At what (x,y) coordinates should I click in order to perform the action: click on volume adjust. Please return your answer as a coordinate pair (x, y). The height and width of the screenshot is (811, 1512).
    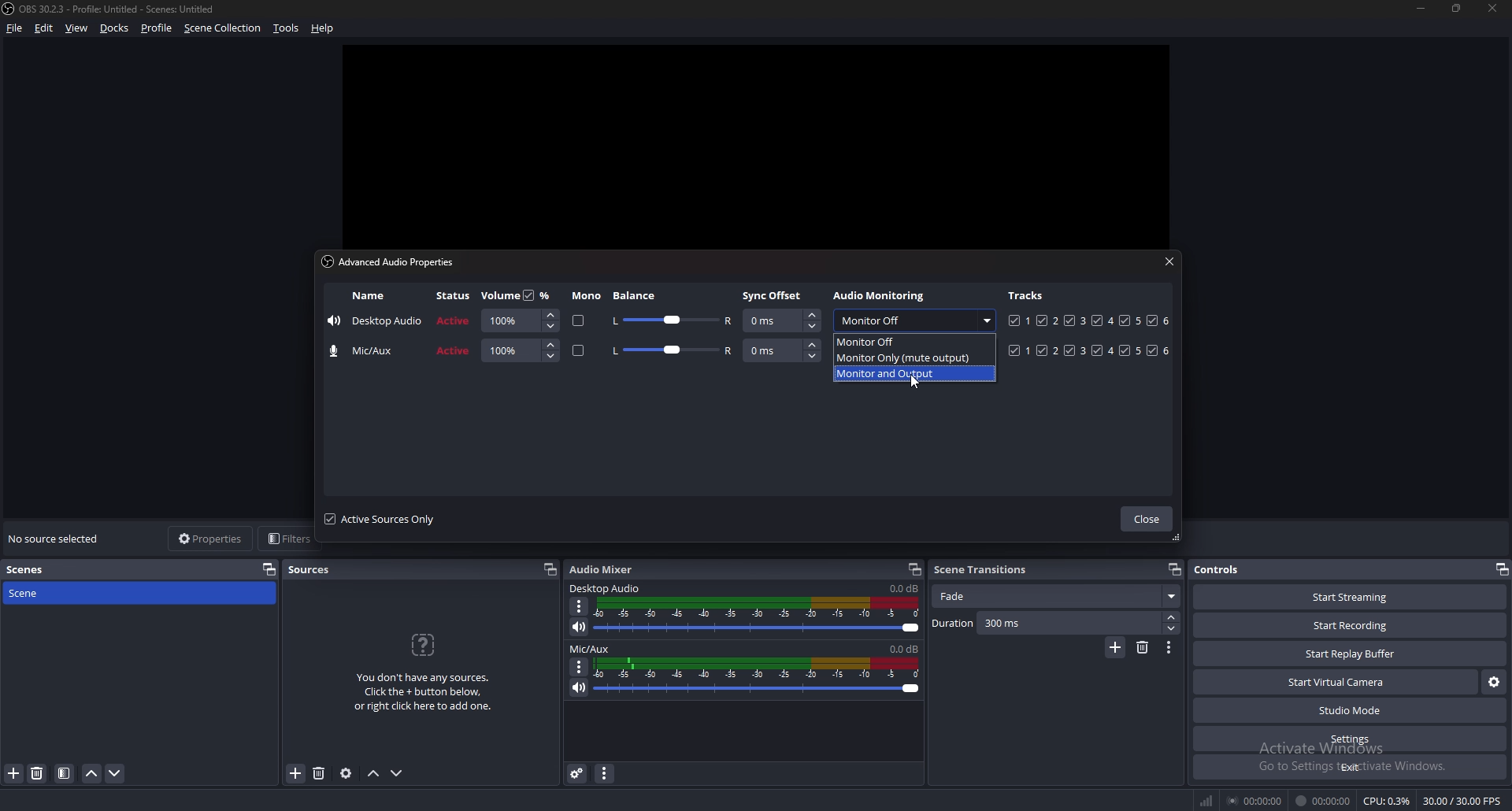
    Looking at the image, I should click on (519, 320).